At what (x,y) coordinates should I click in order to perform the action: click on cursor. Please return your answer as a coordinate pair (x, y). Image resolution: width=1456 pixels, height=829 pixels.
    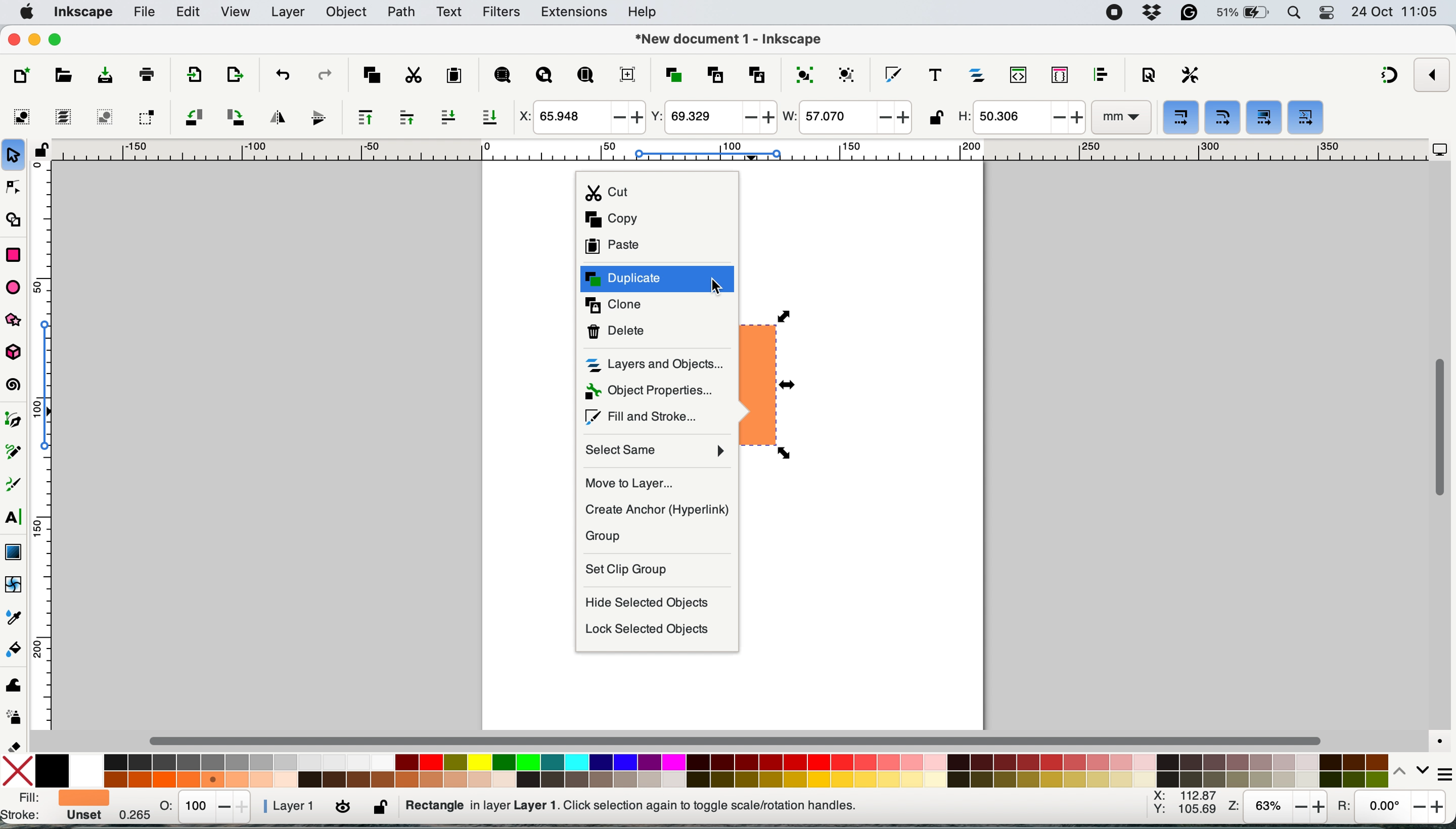
    Looking at the image, I should click on (719, 284).